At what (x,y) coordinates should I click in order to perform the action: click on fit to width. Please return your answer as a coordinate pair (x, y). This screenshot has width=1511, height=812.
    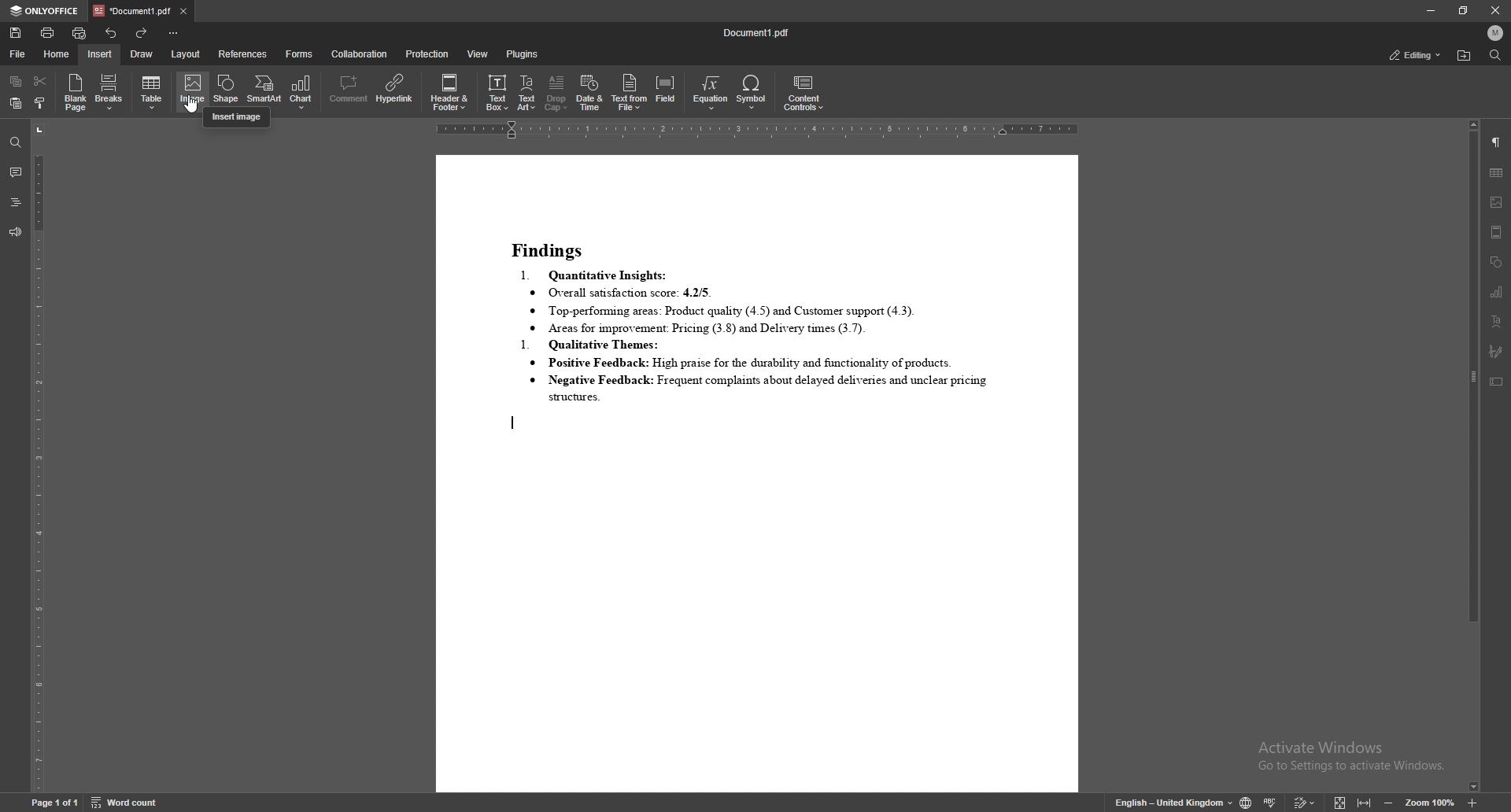
    Looking at the image, I should click on (1365, 802).